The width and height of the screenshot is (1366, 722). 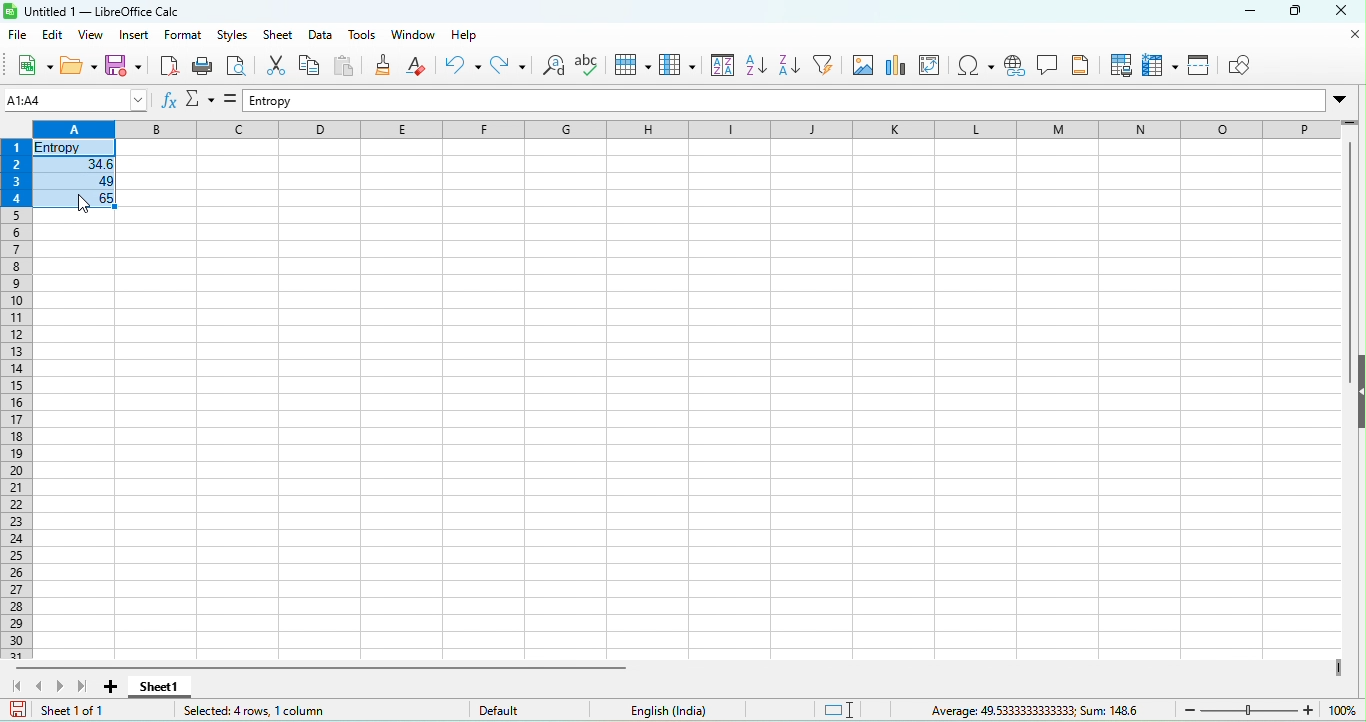 What do you see at coordinates (718, 65) in the screenshot?
I see `sort` at bounding box center [718, 65].